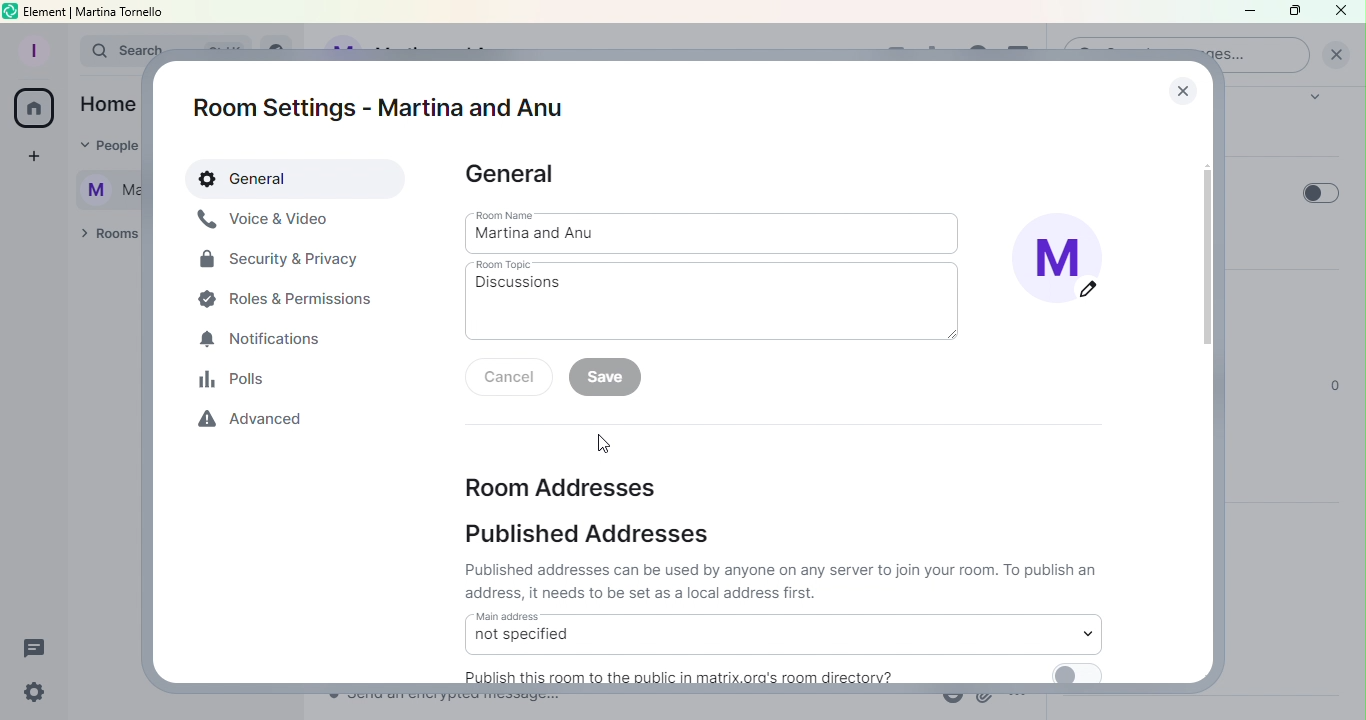  Describe the element at coordinates (31, 159) in the screenshot. I see `Create a space` at that location.